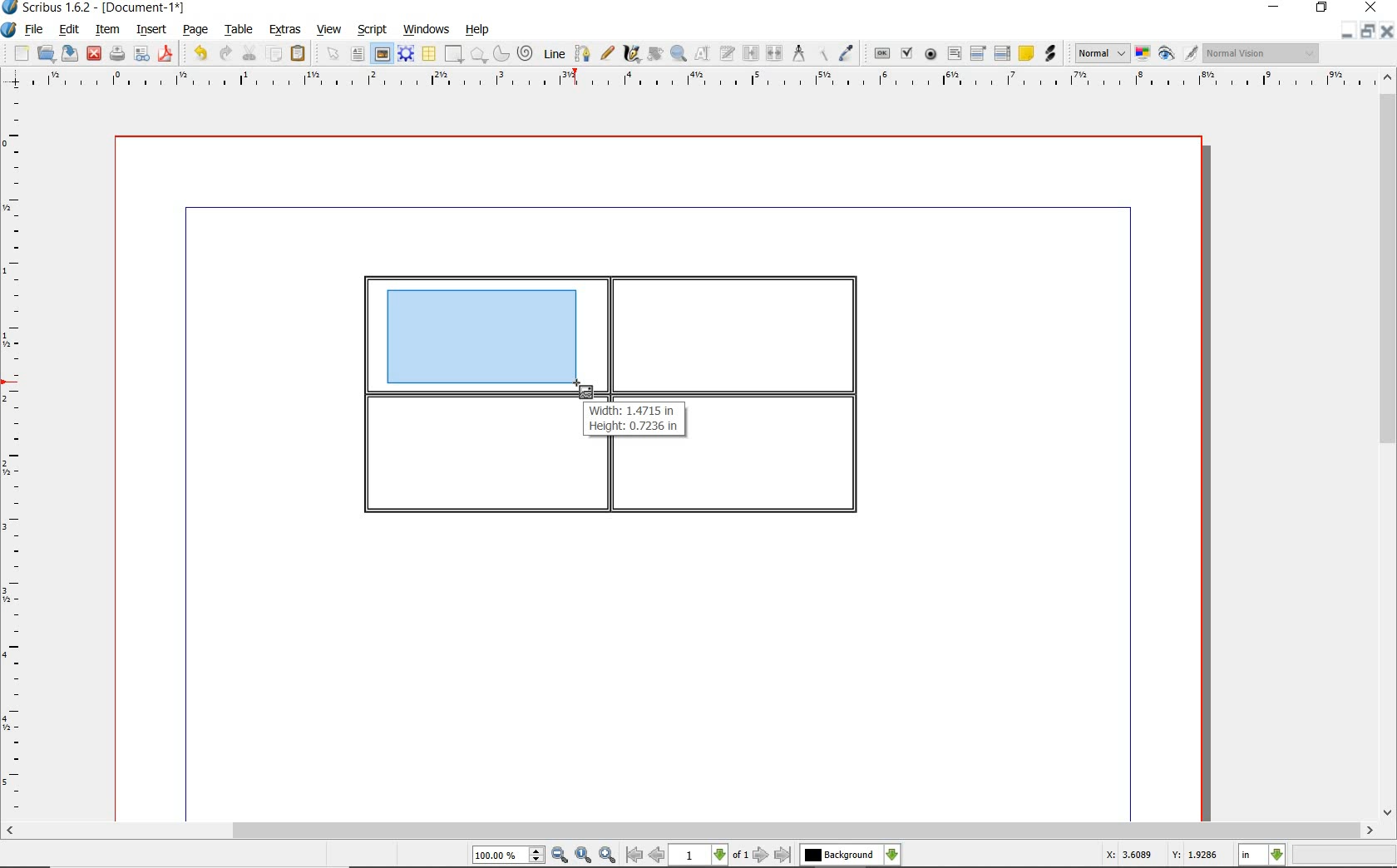  I want to click on pdf combo box, so click(980, 54).